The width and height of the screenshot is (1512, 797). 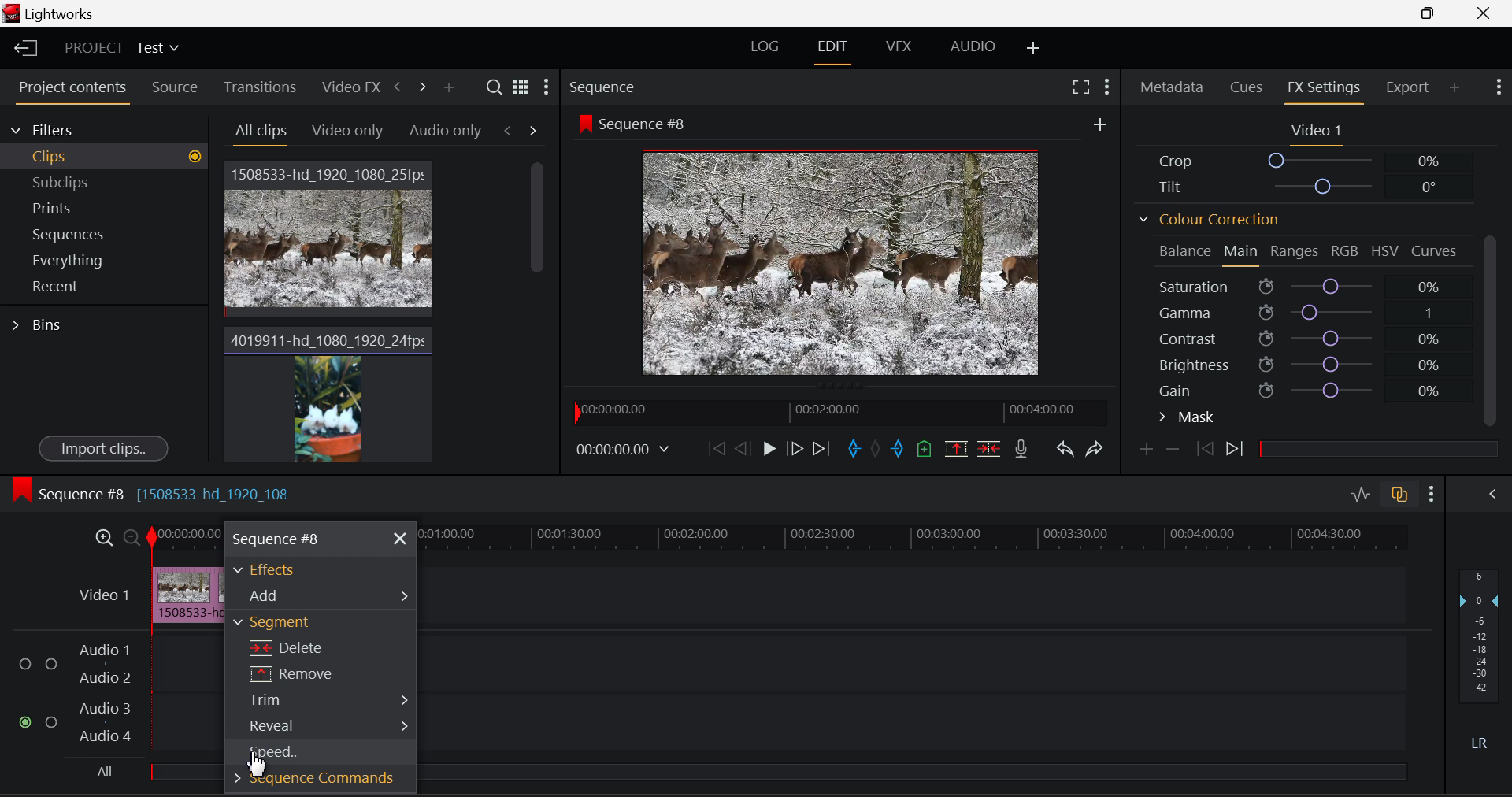 What do you see at coordinates (832, 410) in the screenshot?
I see `Project Timeline Preview Slider` at bounding box center [832, 410].